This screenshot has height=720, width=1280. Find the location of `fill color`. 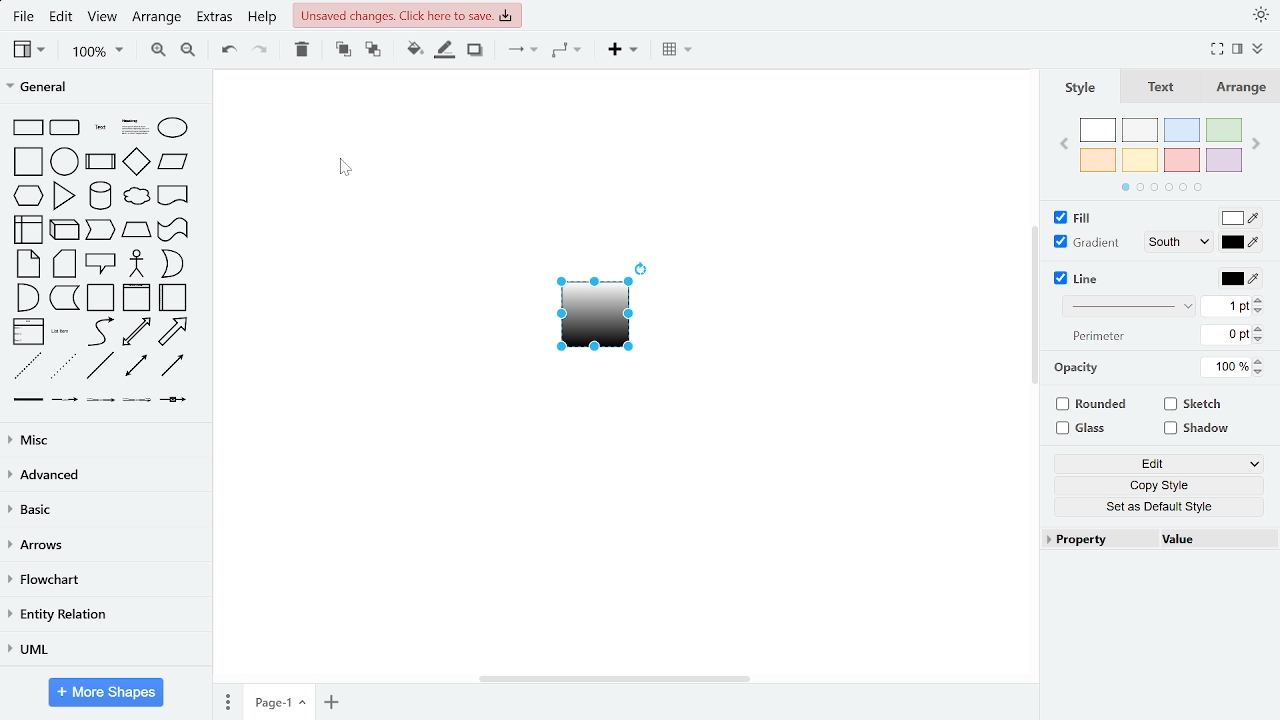

fill color is located at coordinates (1242, 218).